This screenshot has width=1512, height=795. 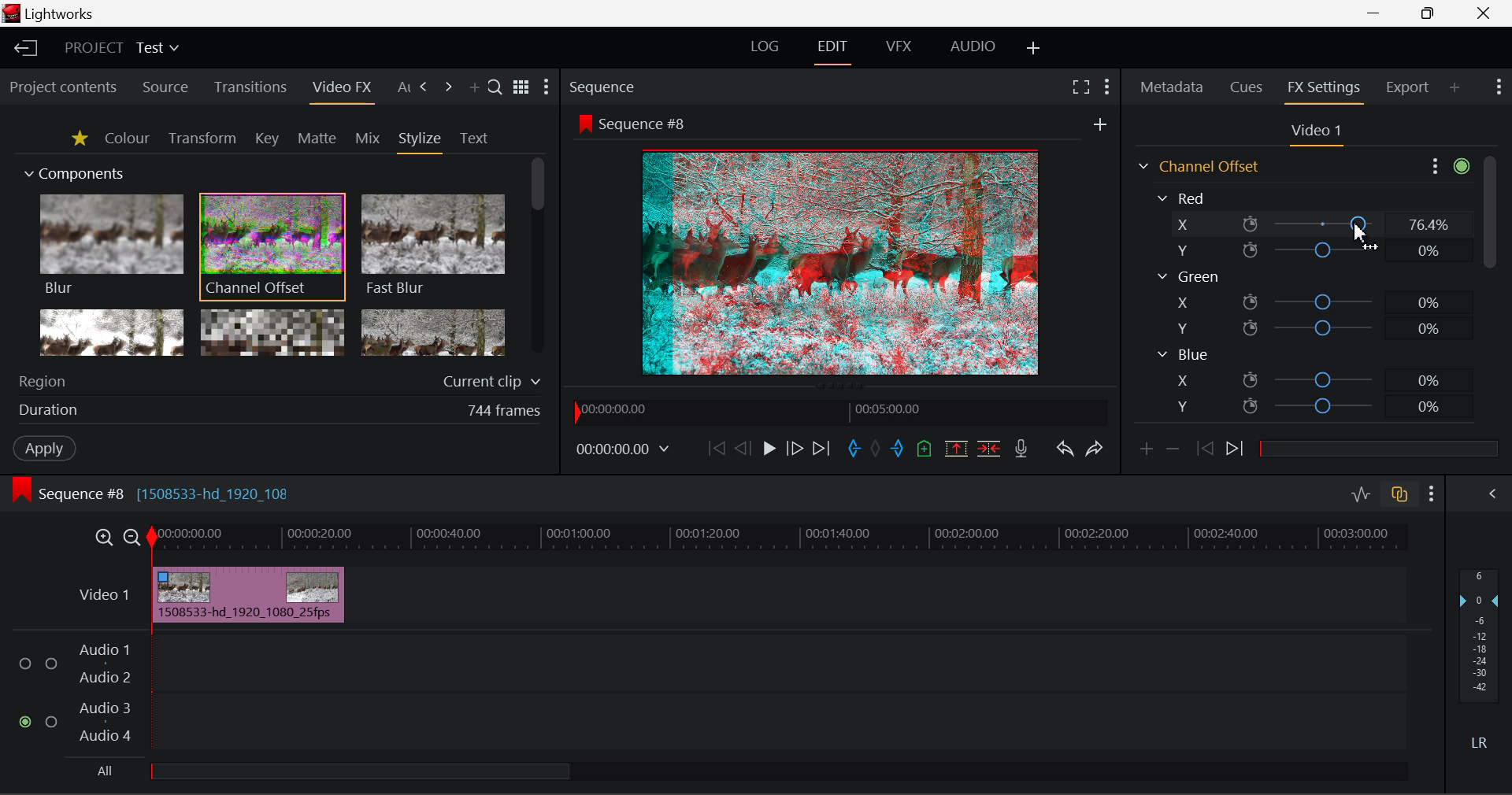 What do you see at coordinates (24, 49) in the screenshot?
I see `Back to Homepage` at bounding box center [24, 49].